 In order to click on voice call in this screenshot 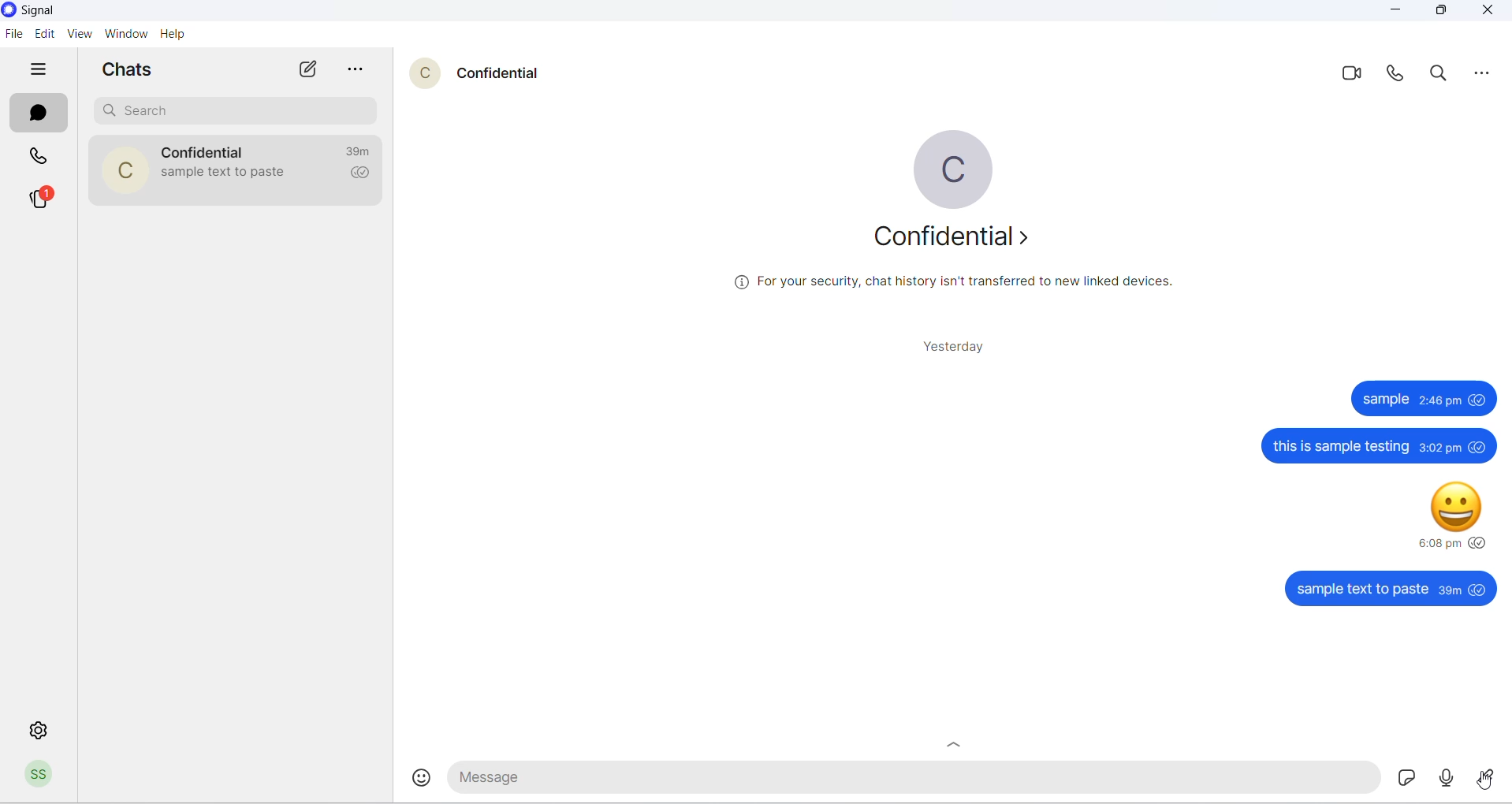, I will do `click(1398, 77)`.